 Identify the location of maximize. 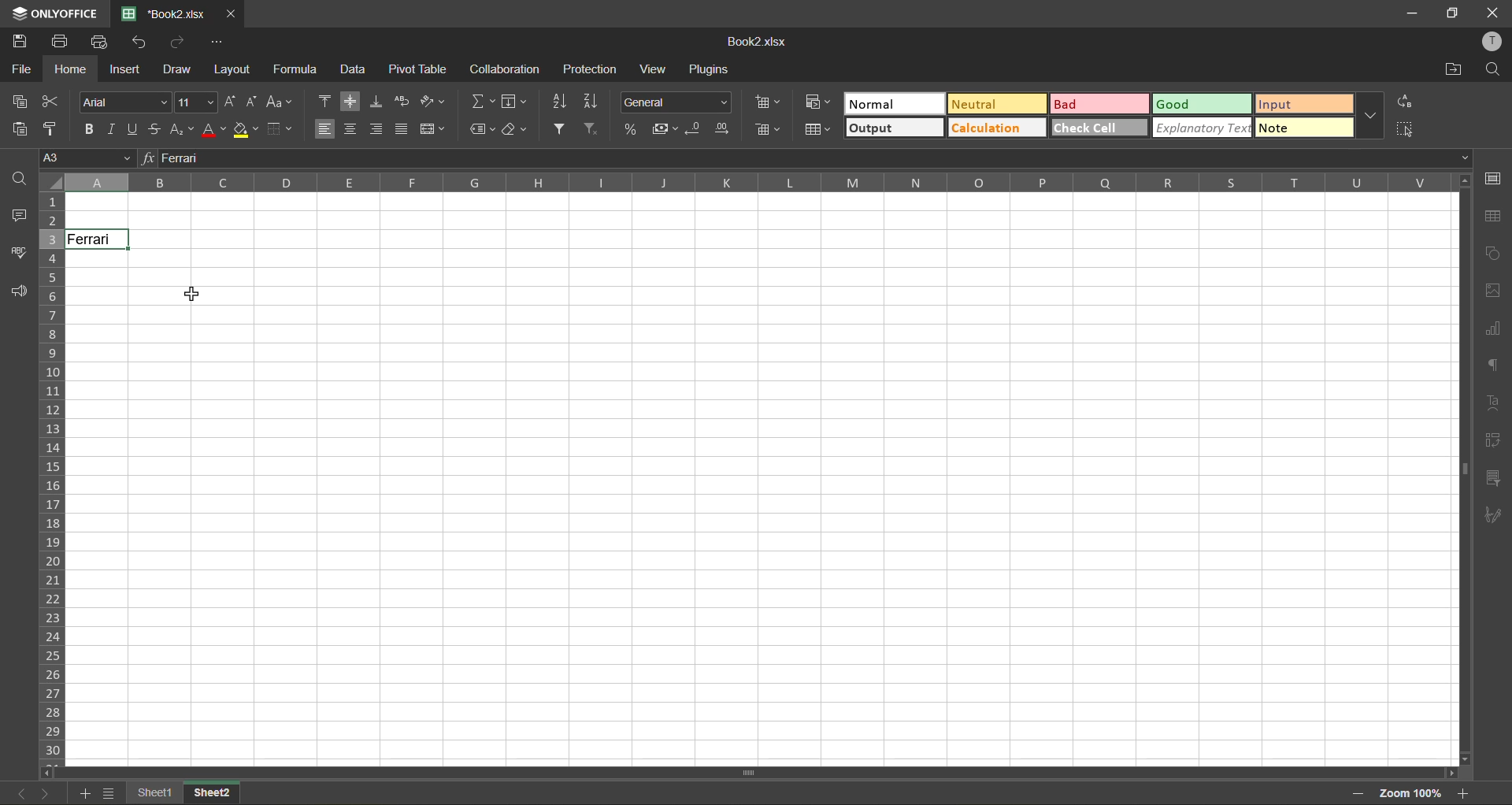
(1451, 12).